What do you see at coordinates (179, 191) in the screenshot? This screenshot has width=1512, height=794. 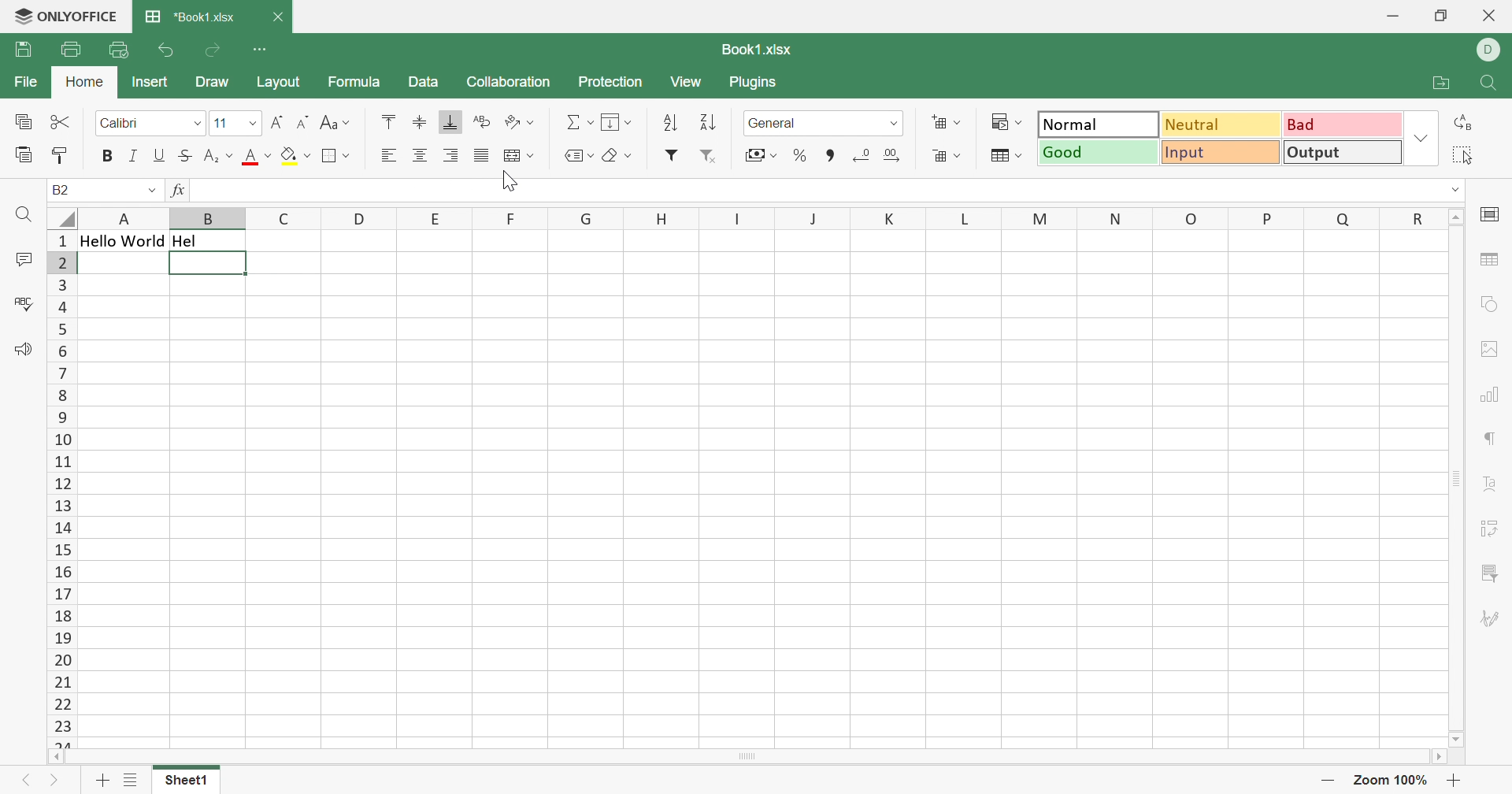 I see `fx` at bounding box center [179, 191].